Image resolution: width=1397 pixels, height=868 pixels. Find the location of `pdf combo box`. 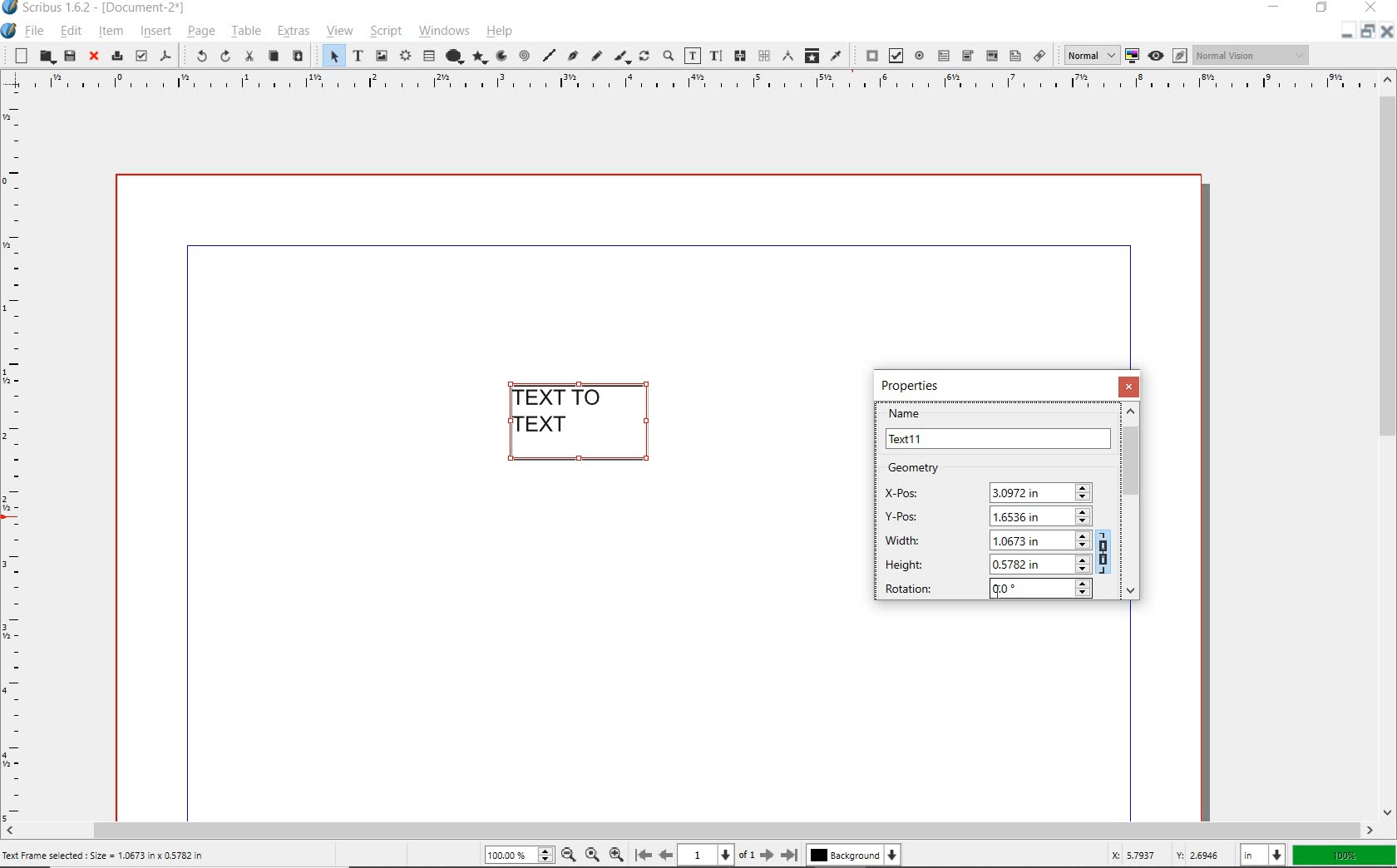

pdf combo box is located at coordinates (991, 57).